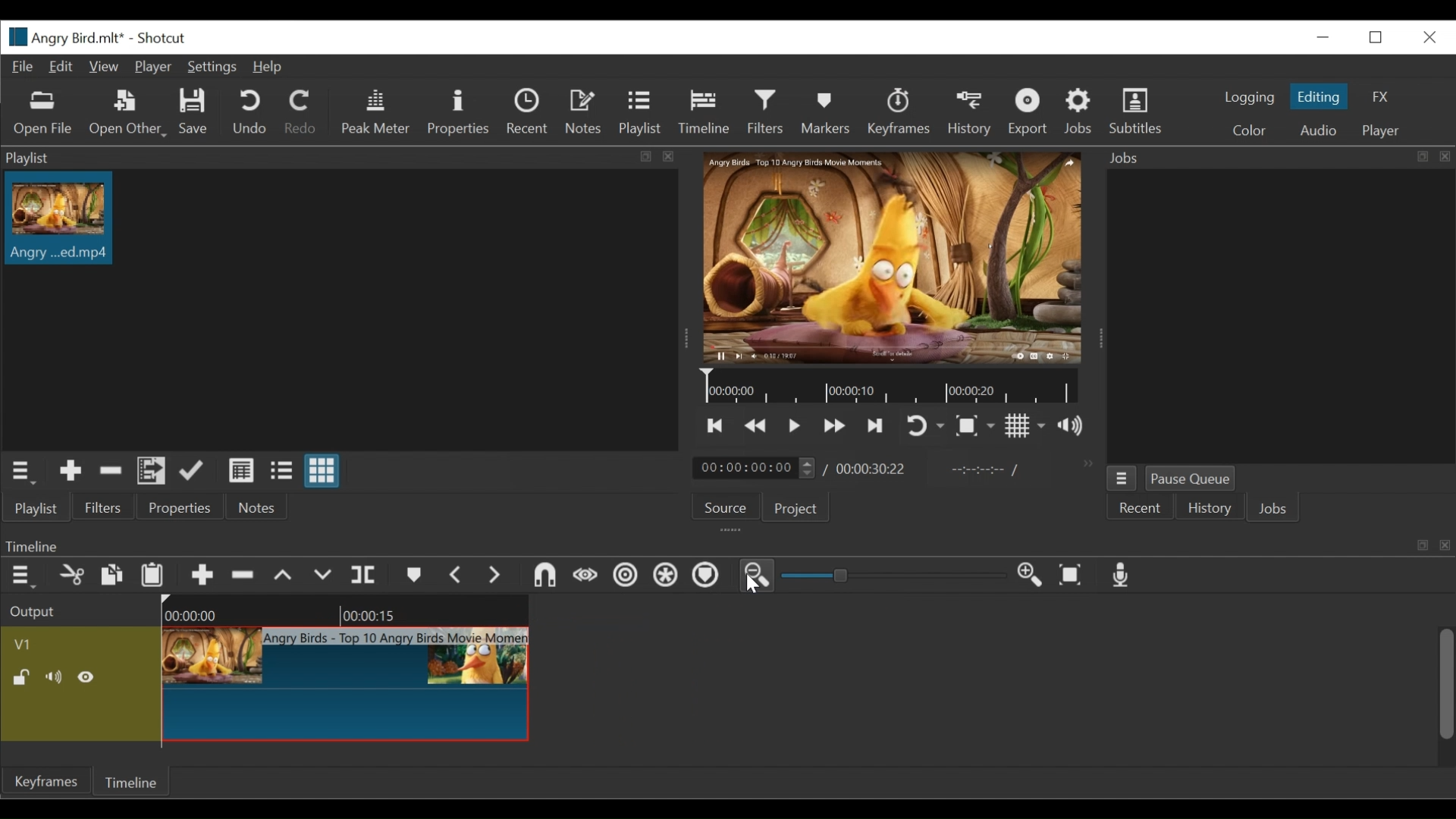 Image resolution: width=1456 pixels, height=819 pixels. Describe the element at coordinates (877, 425) in the screenshot. I see `Play the next point quickly` at that location.